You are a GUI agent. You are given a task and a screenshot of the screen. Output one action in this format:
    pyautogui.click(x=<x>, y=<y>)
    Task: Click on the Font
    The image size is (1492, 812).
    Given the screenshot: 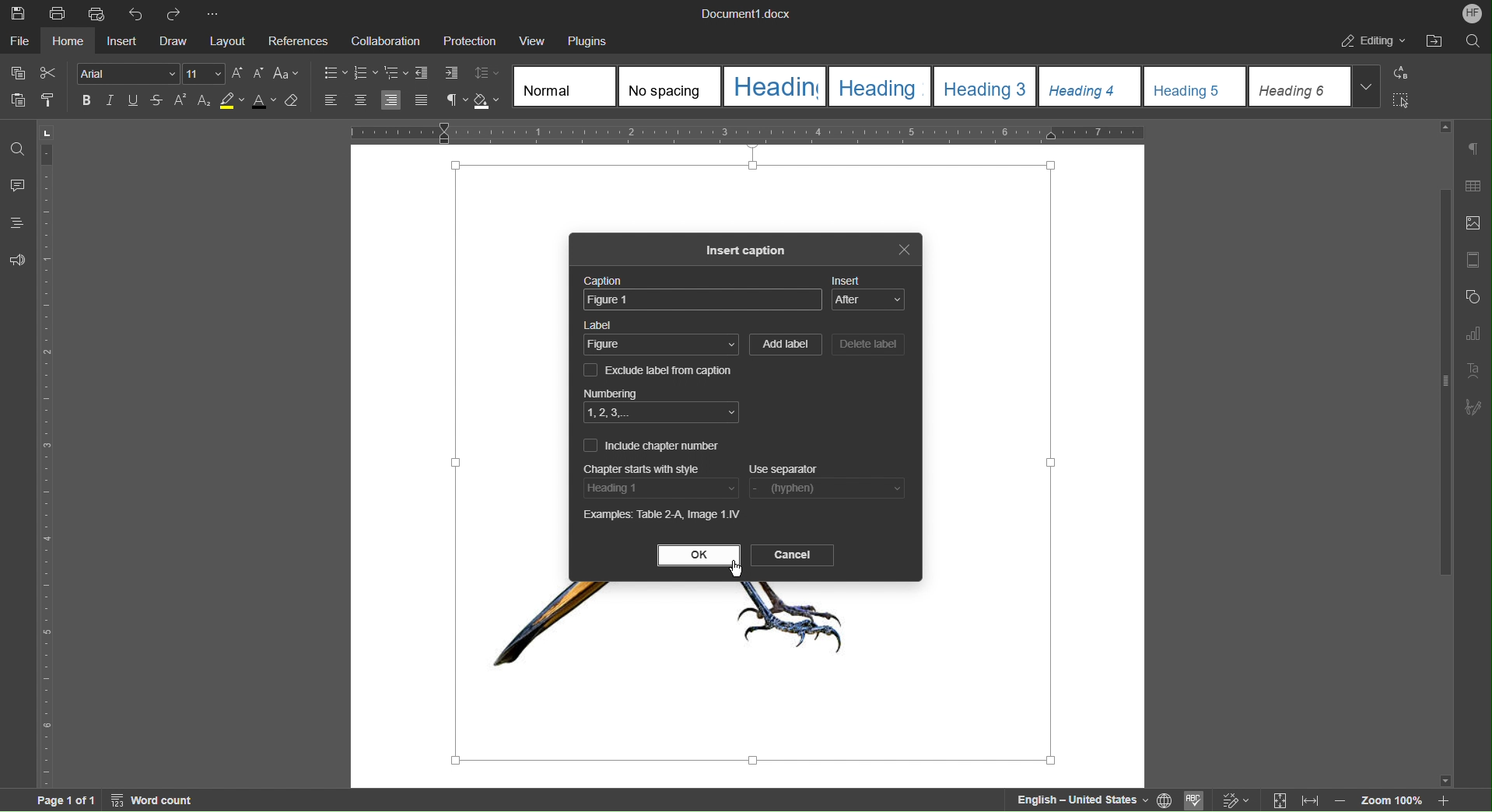 What is the action you would take?
    pyautogui.click(x=129, y=73)
    